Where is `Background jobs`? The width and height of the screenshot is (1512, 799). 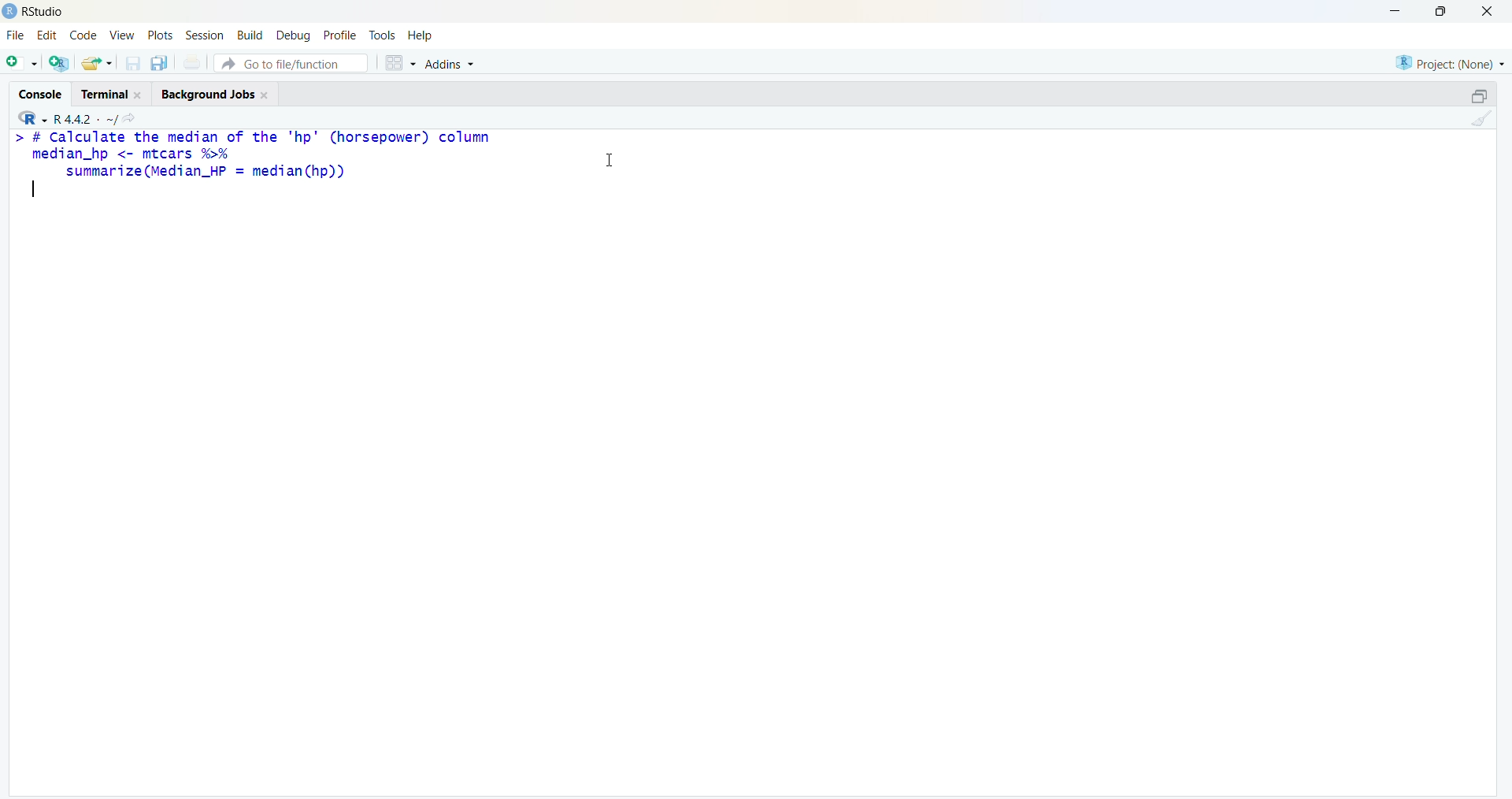
Background jobs is located at coordinates (206, 95).